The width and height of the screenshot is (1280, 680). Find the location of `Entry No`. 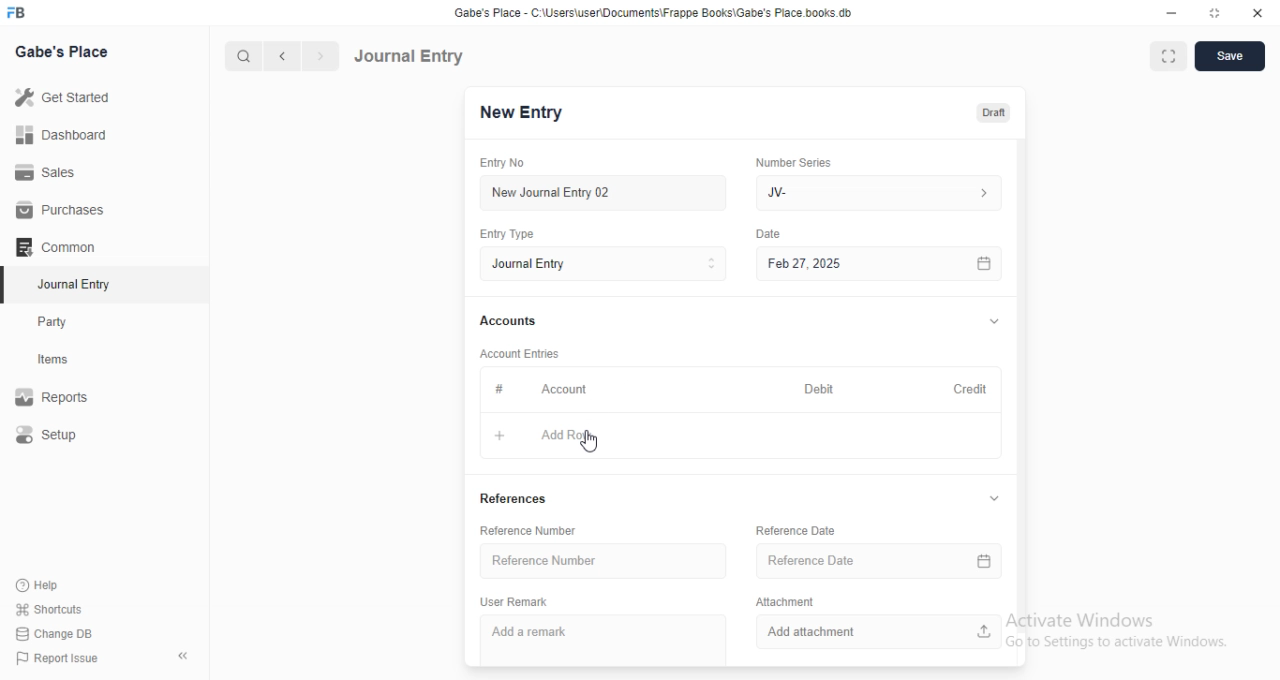

Entry No is located at coordinates (507, 162).